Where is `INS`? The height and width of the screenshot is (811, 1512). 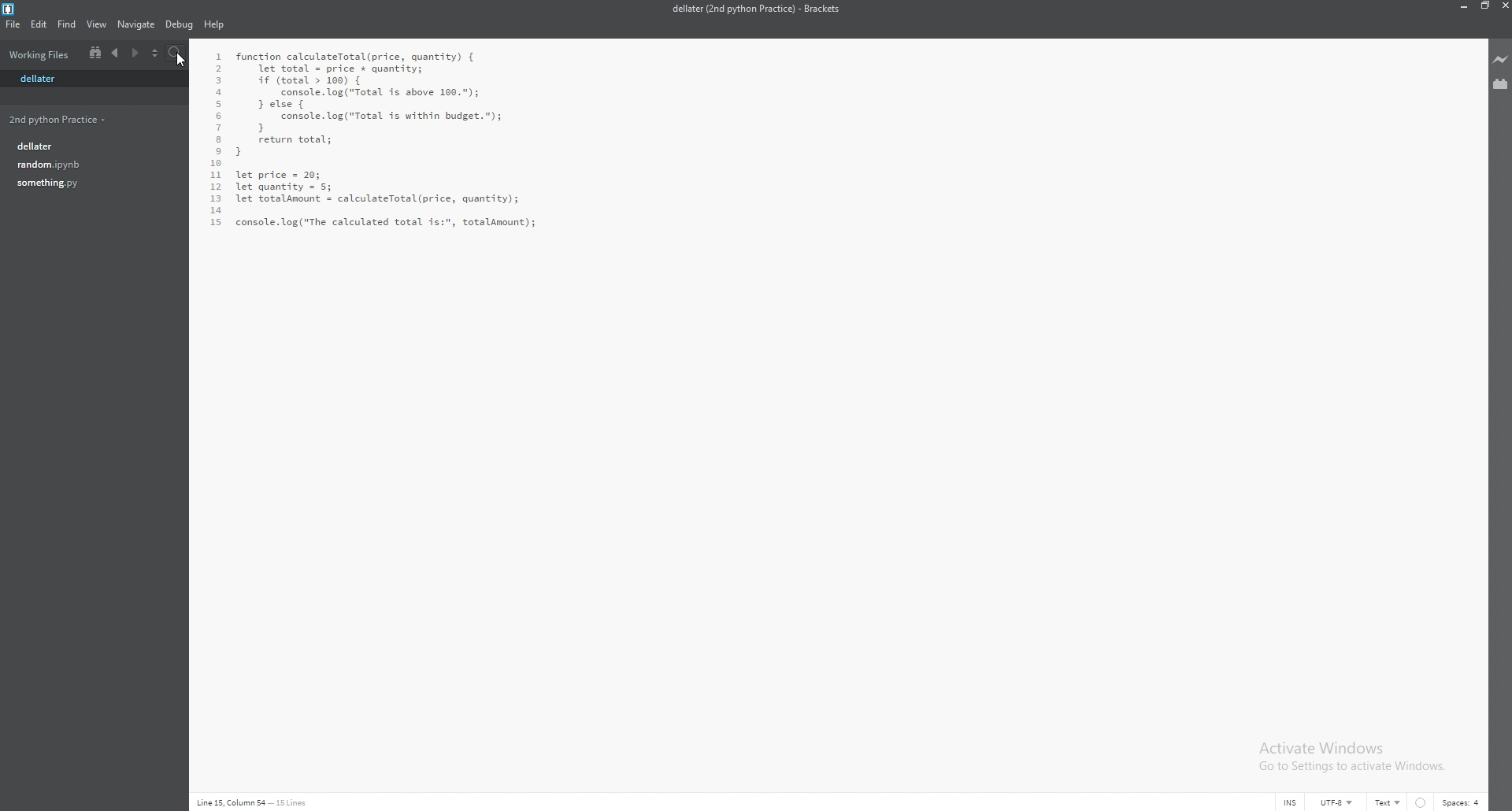
INS is located at coordinates (1291, 803).